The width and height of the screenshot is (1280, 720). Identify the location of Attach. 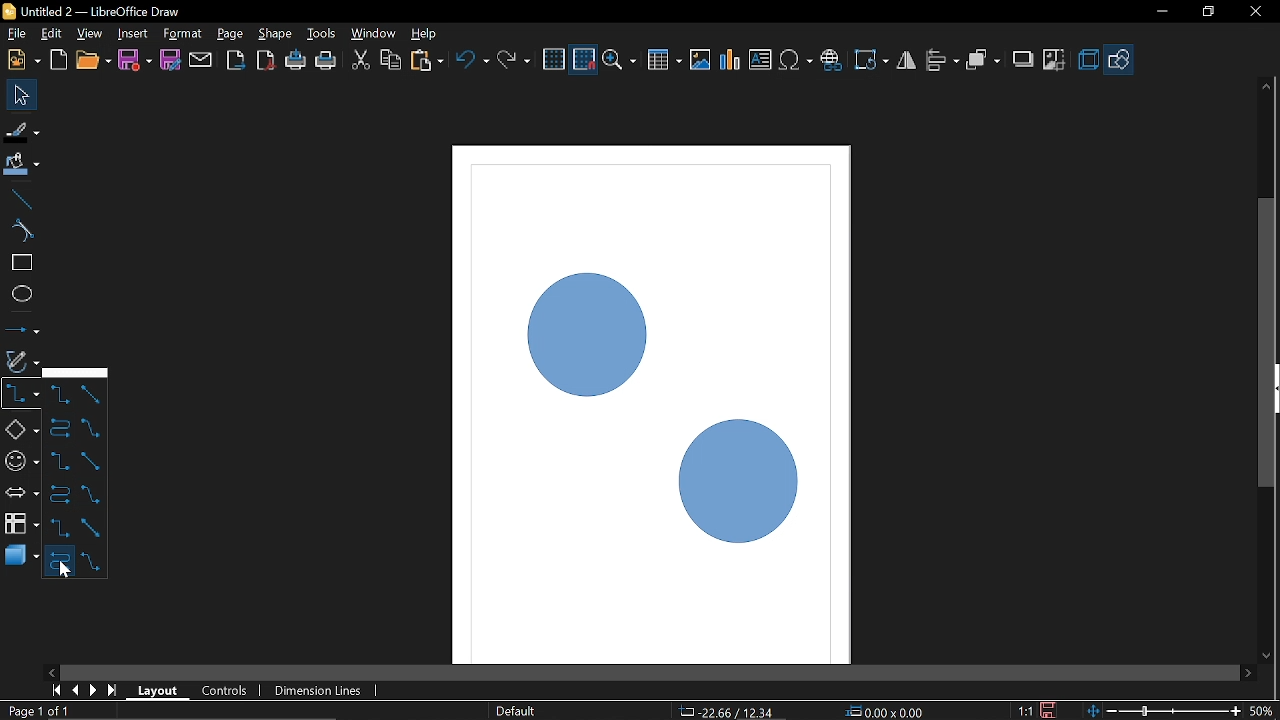
(201, 59).